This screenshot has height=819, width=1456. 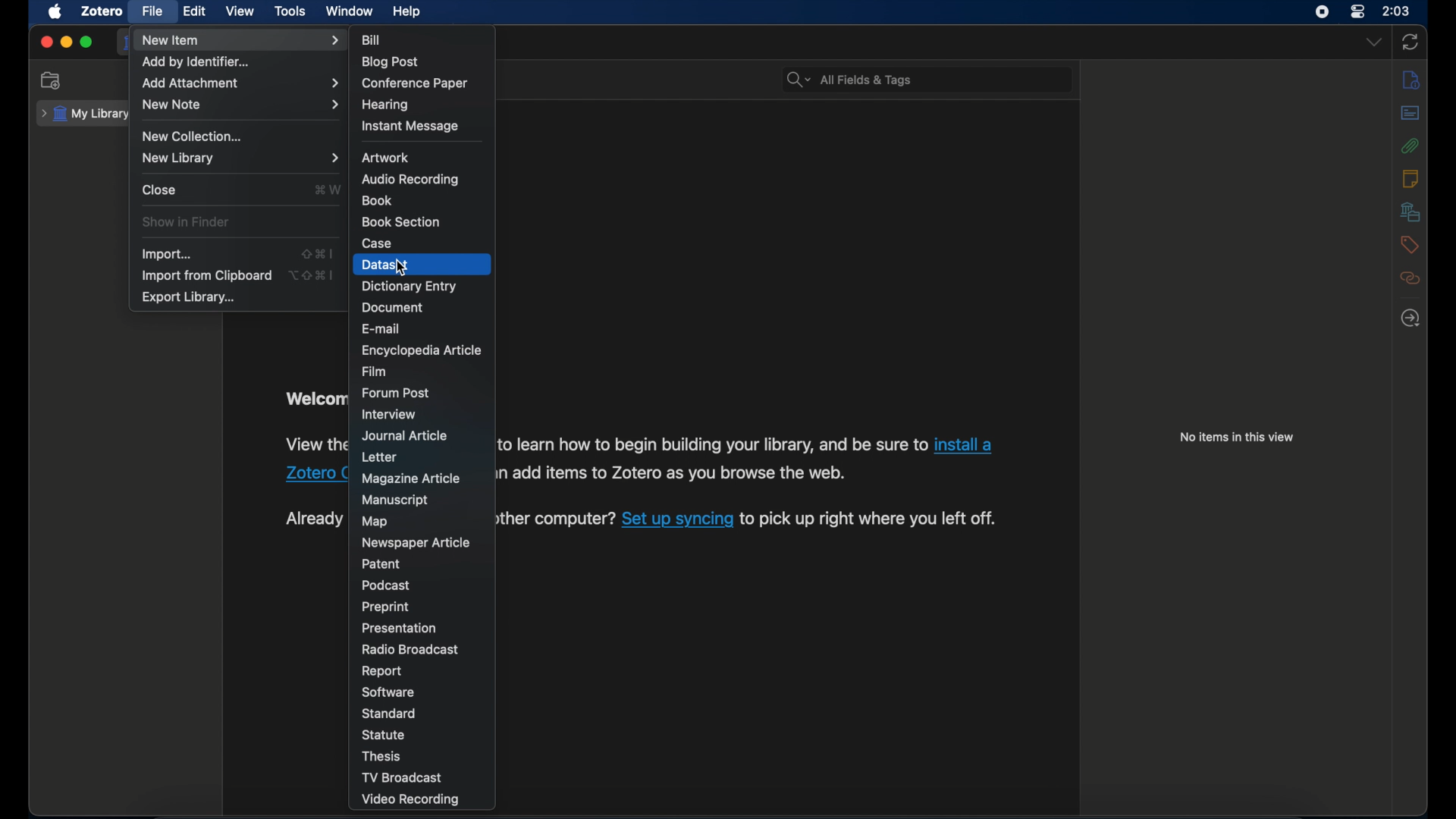 What do you see at coordinates (411, 479) in the screenshot?
I see `magazine article` at bounding box center [411, 479].